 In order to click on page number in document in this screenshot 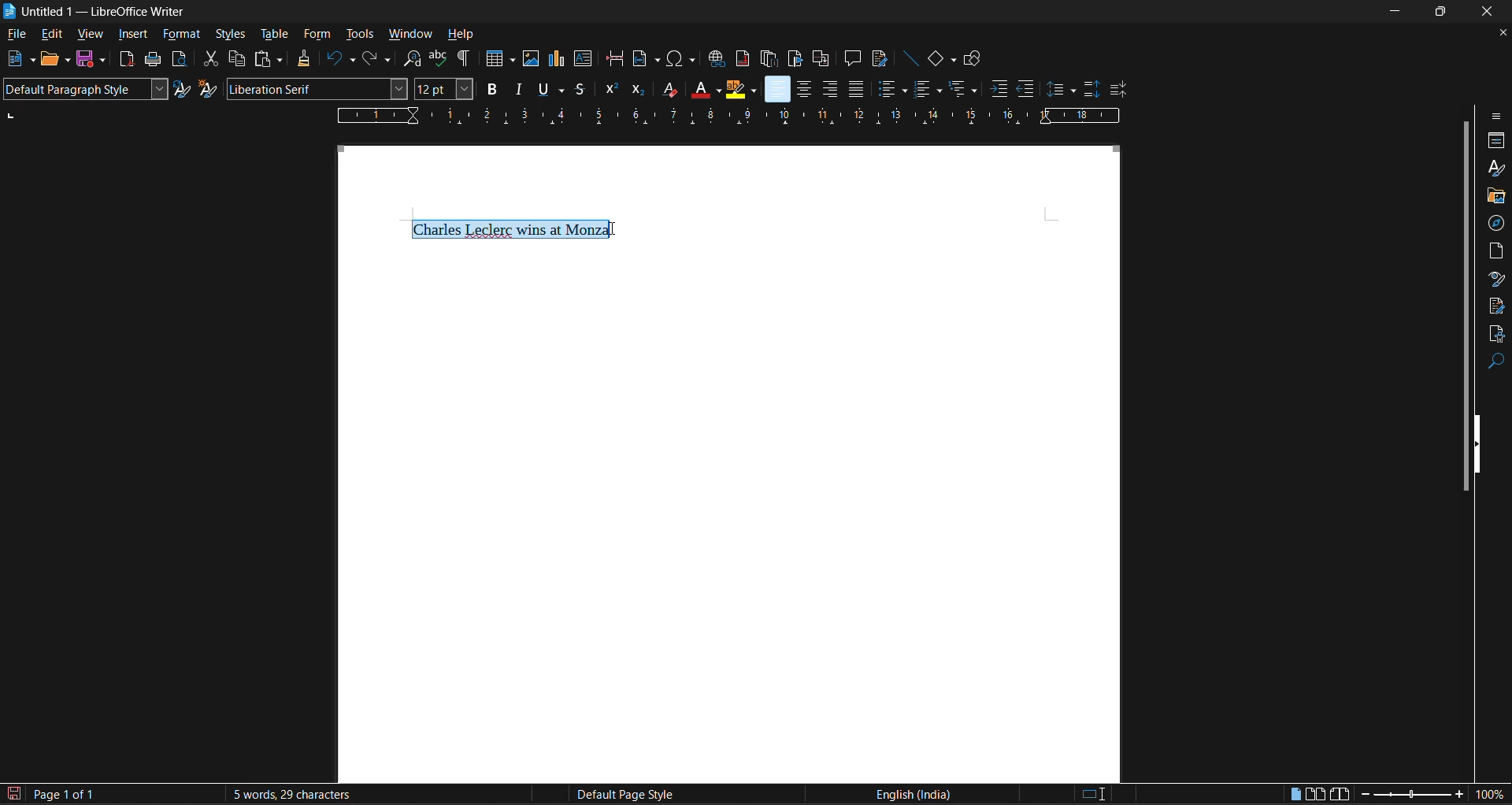, I will do `click(66, 794)`.